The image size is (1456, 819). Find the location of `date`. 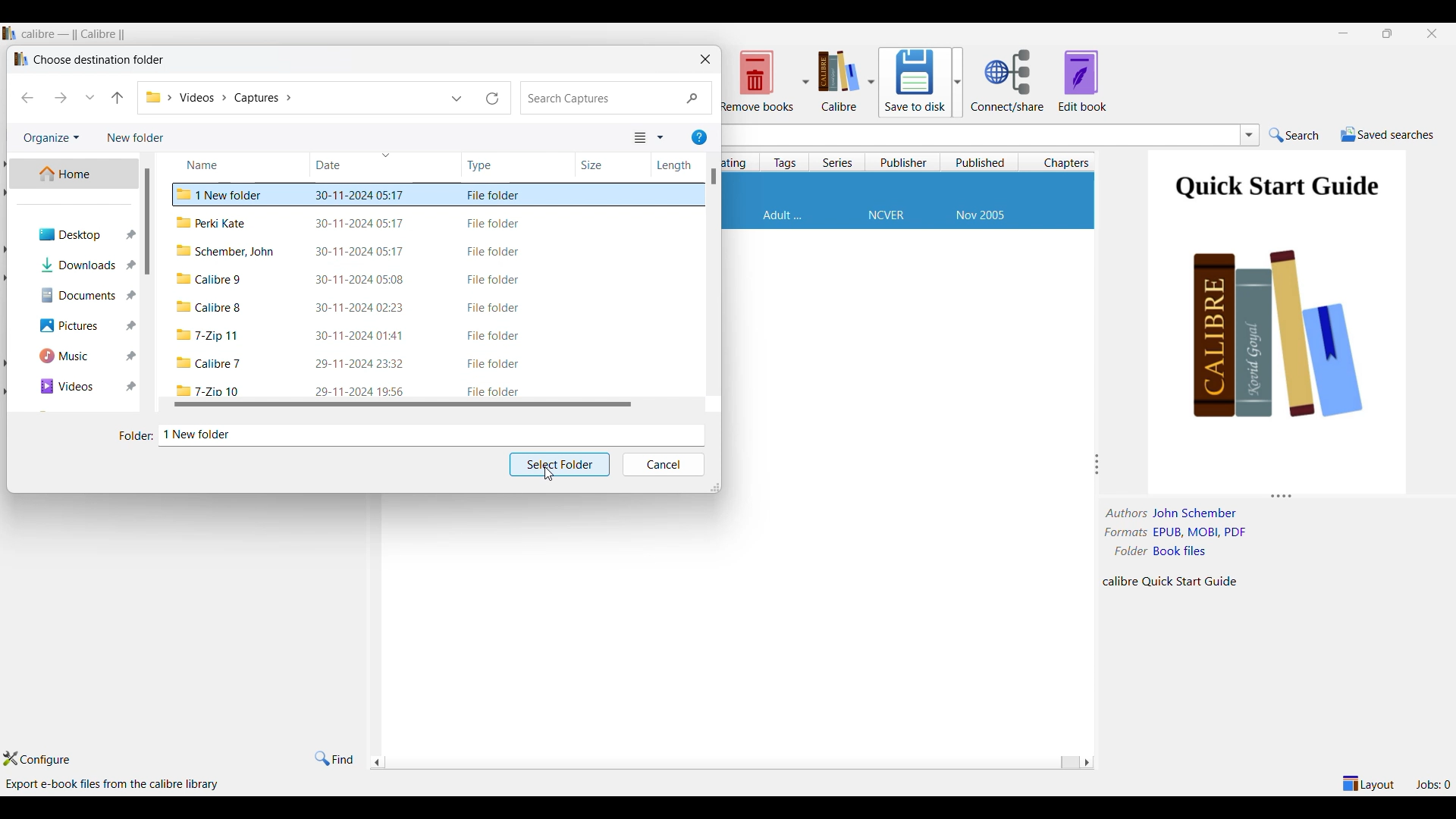

date is located at coordinates (362, 390).